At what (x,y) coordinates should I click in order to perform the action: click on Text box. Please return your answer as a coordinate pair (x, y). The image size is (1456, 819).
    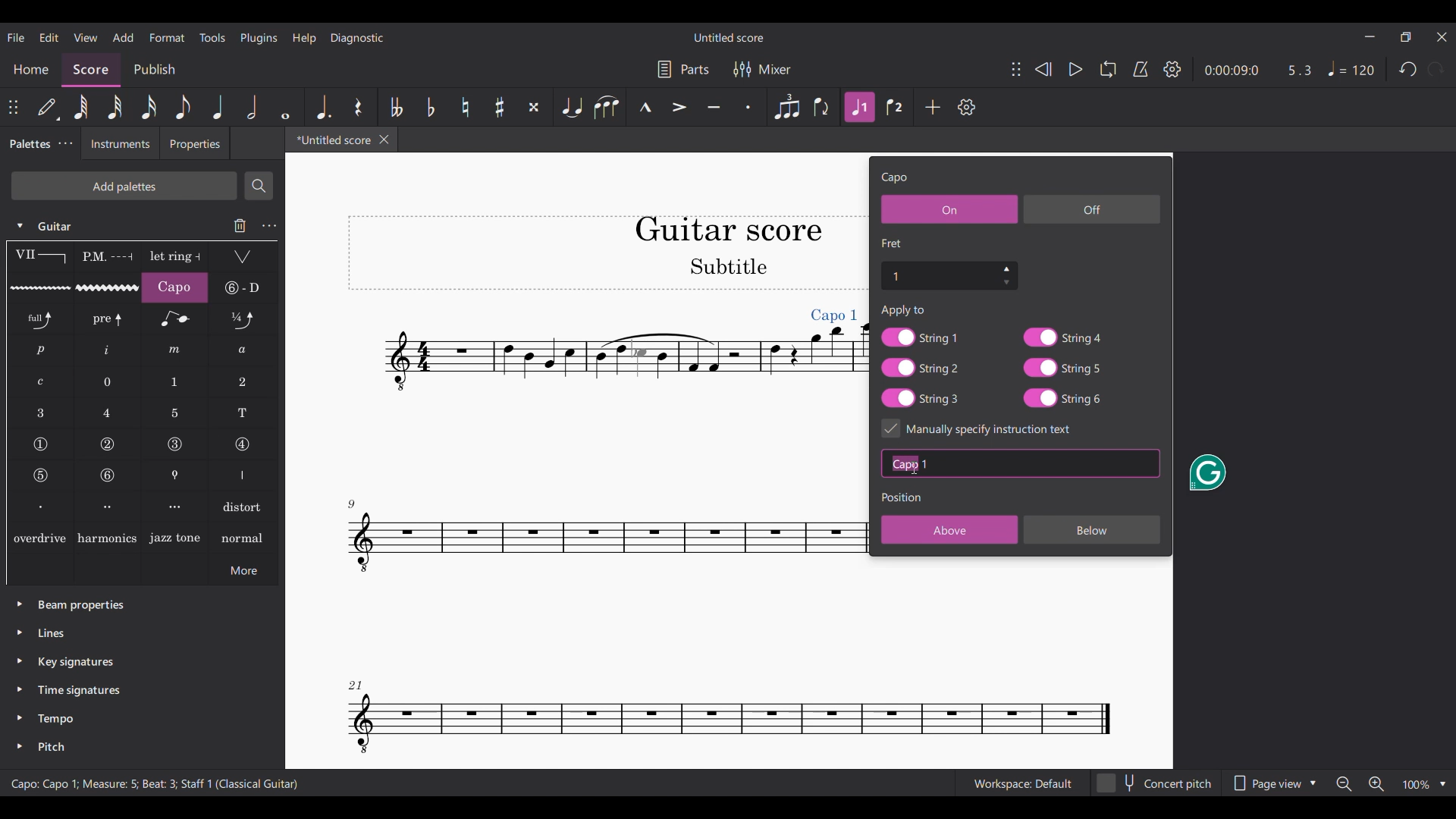
    Looking at the image, I should click on (1021, 463).